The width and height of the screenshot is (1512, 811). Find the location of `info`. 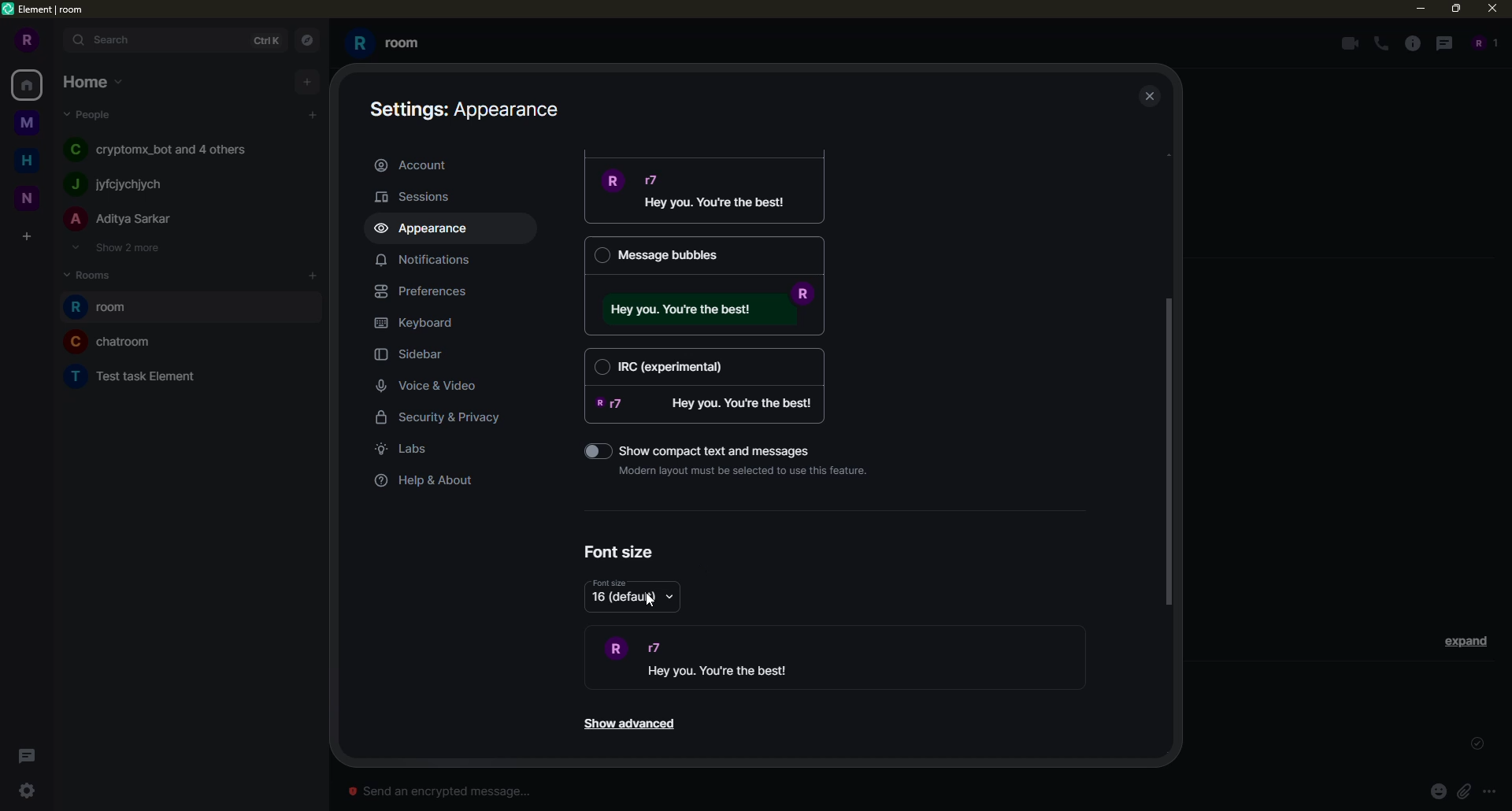

info is located at coordinates (1413, 43).